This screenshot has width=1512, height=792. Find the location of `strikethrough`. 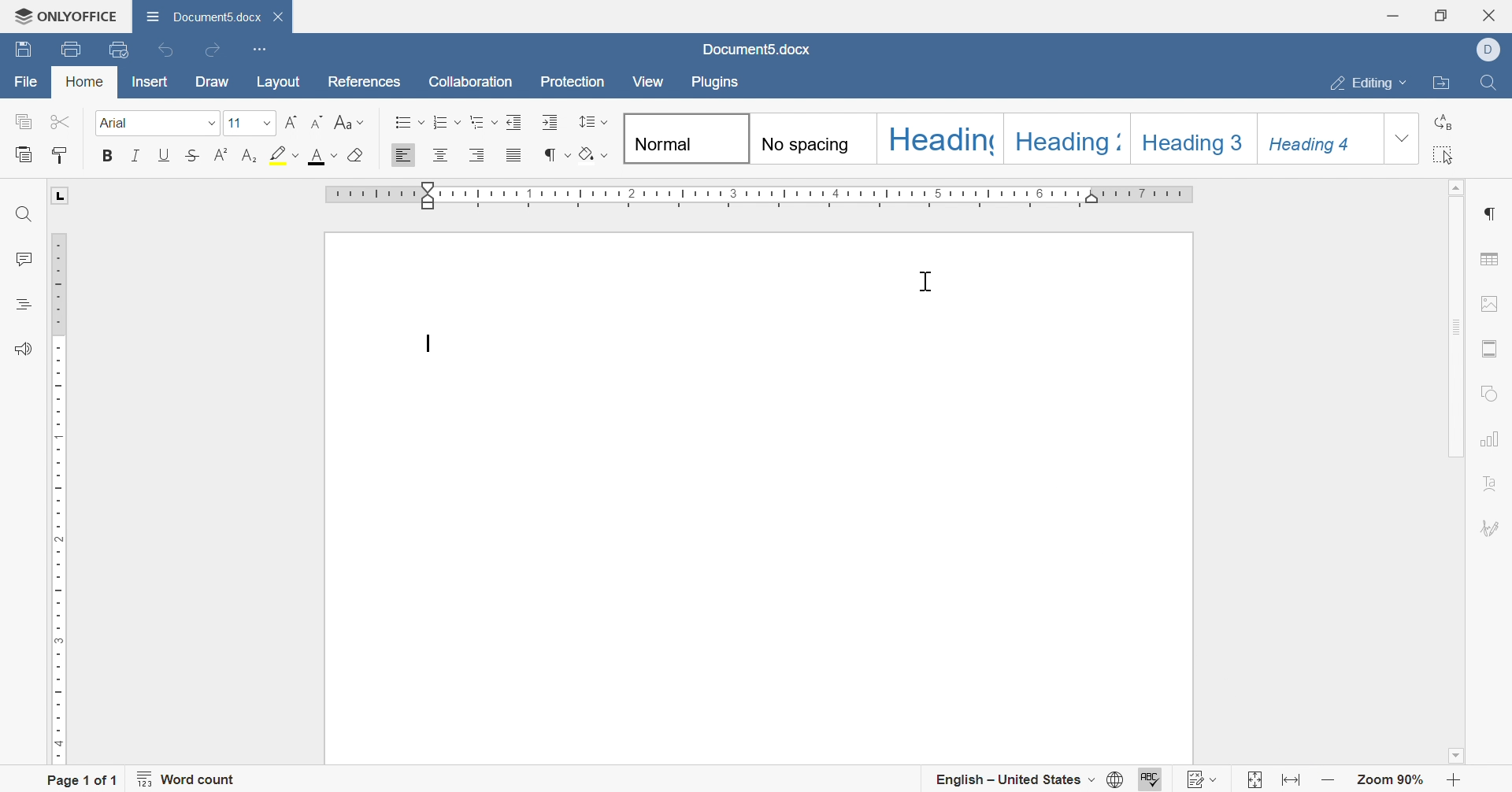

strikethrough is located at coordinates (191, 155).